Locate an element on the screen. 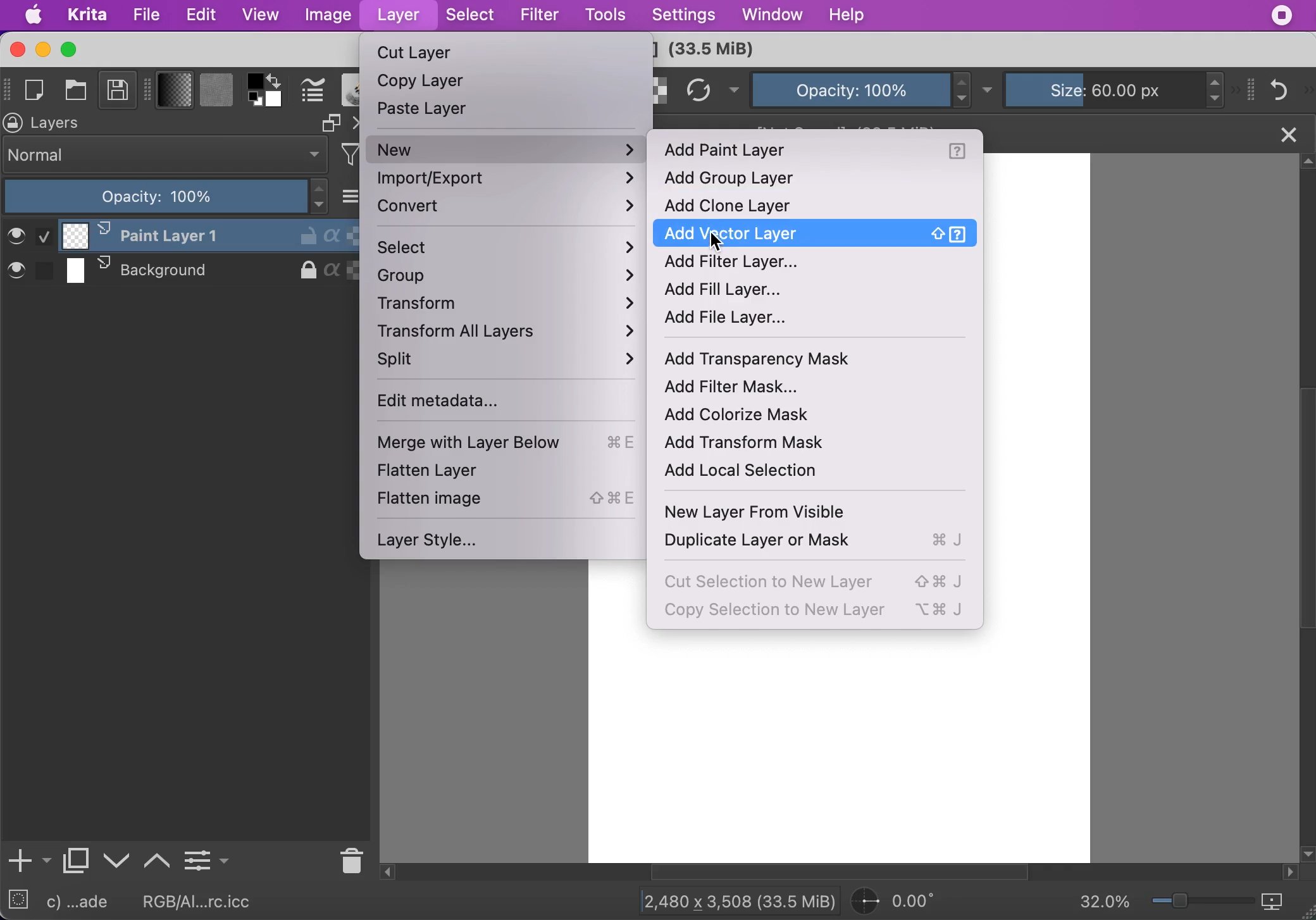 The width and height of the screenshot is (1316, 920). rotation is located at coordinates (901, 902).